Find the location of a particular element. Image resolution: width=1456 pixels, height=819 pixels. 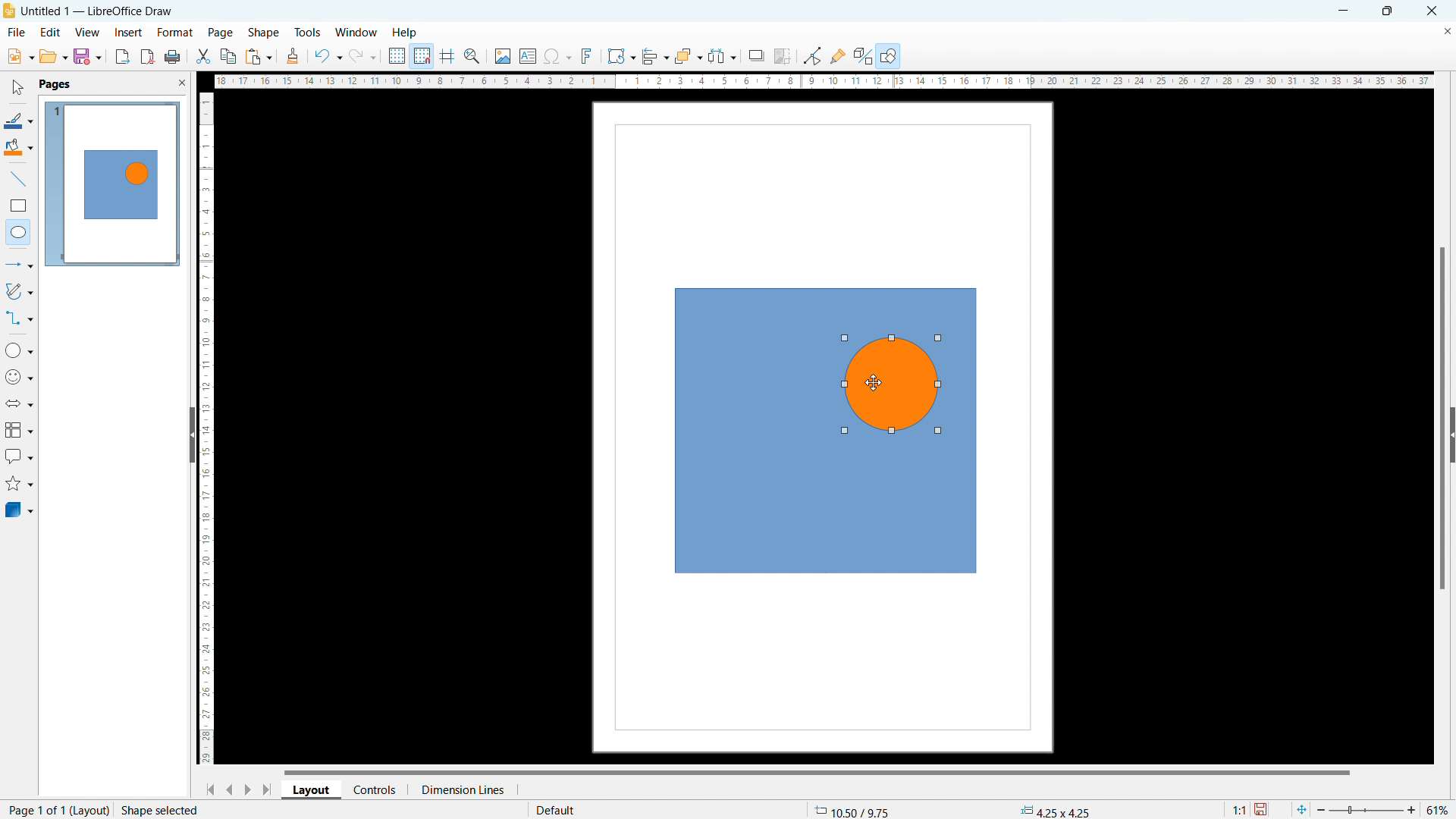

go to previous page is located at coordinates (230, 787).